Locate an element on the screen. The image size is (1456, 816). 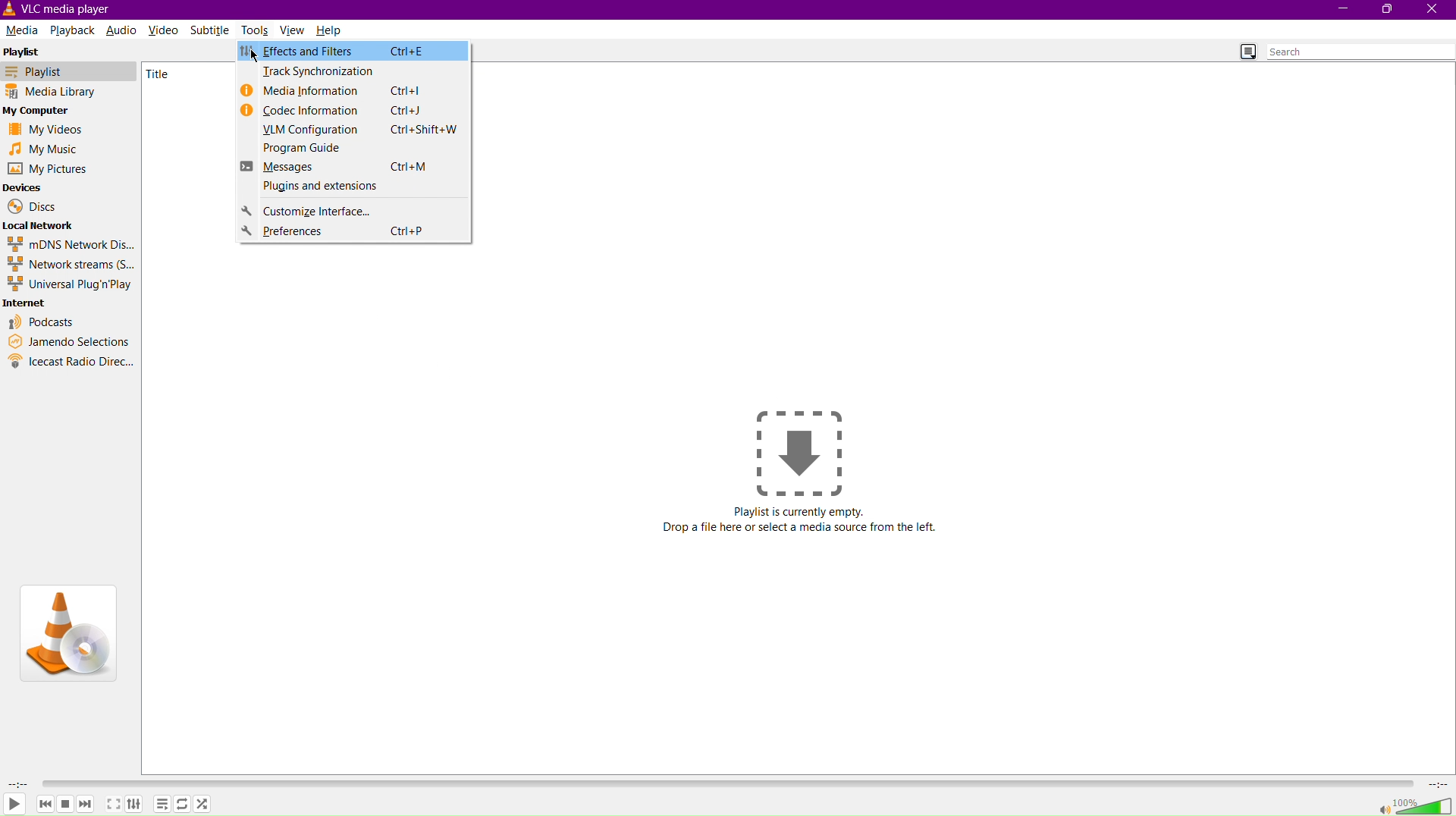
Video is located at coordinates (168, 28).